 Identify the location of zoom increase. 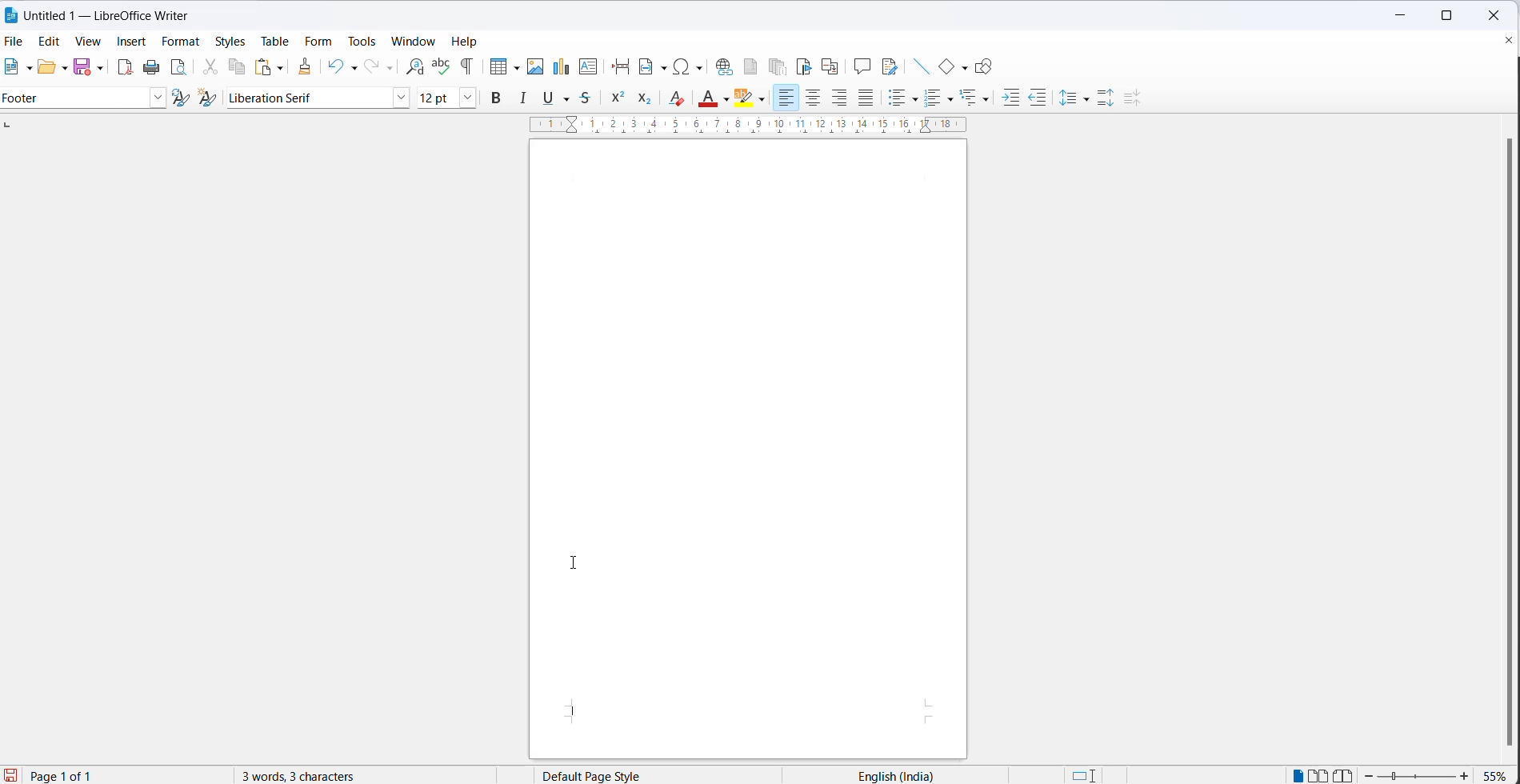
(1467, 775).